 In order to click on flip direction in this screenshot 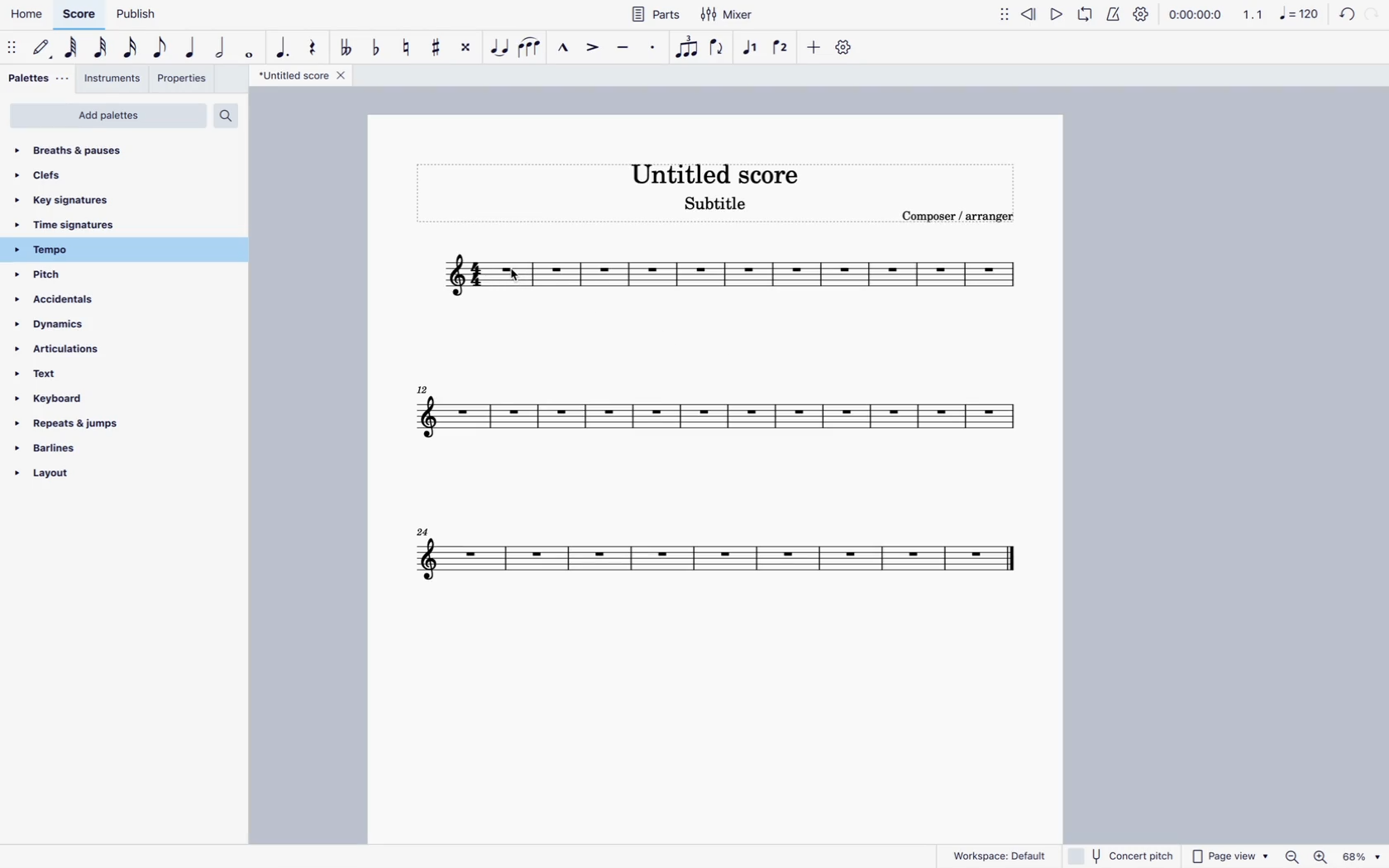, I will do `click(718, 46)`.